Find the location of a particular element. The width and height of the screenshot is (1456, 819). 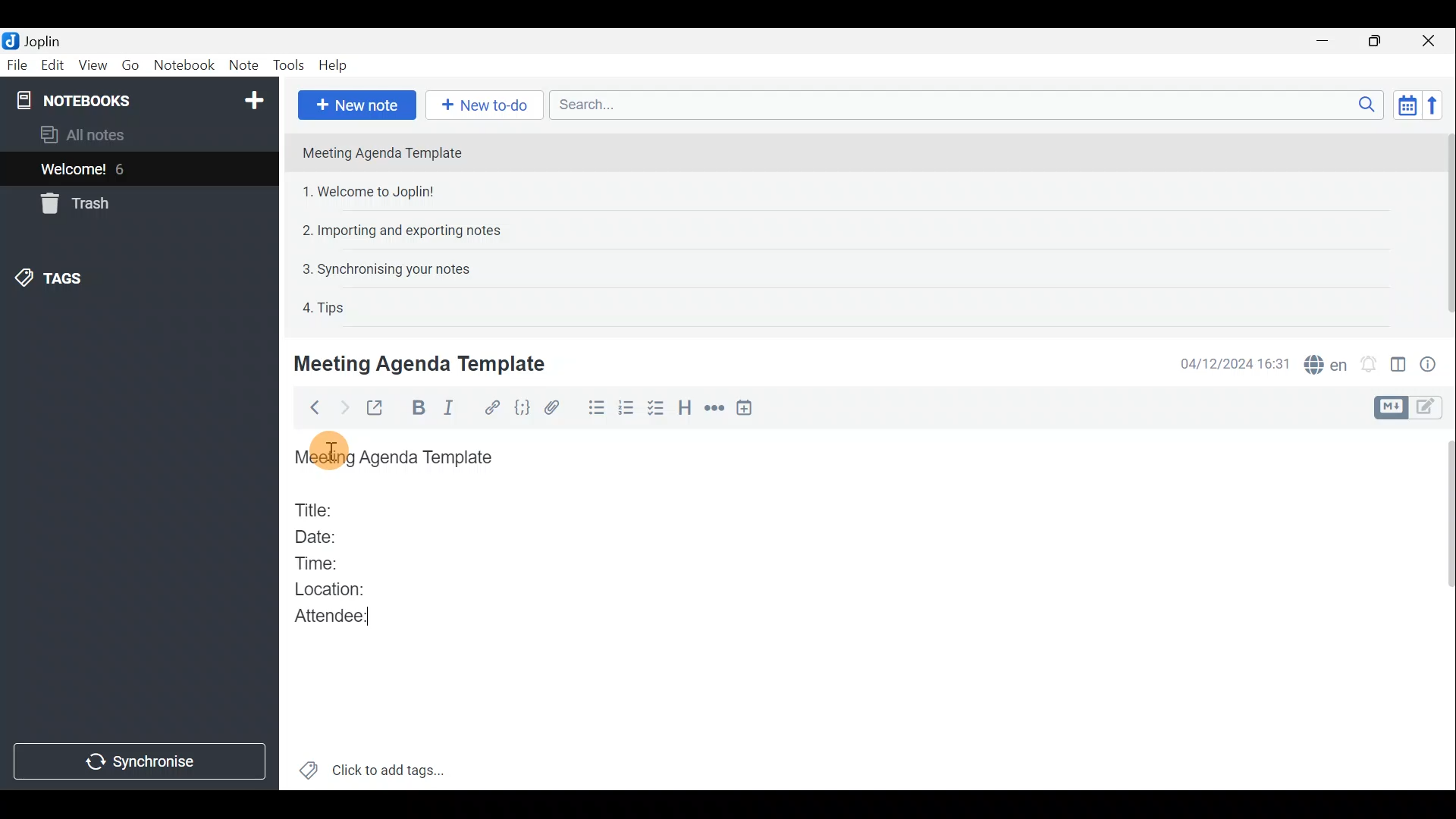

Notebooks is located at coordinates (142, 99).